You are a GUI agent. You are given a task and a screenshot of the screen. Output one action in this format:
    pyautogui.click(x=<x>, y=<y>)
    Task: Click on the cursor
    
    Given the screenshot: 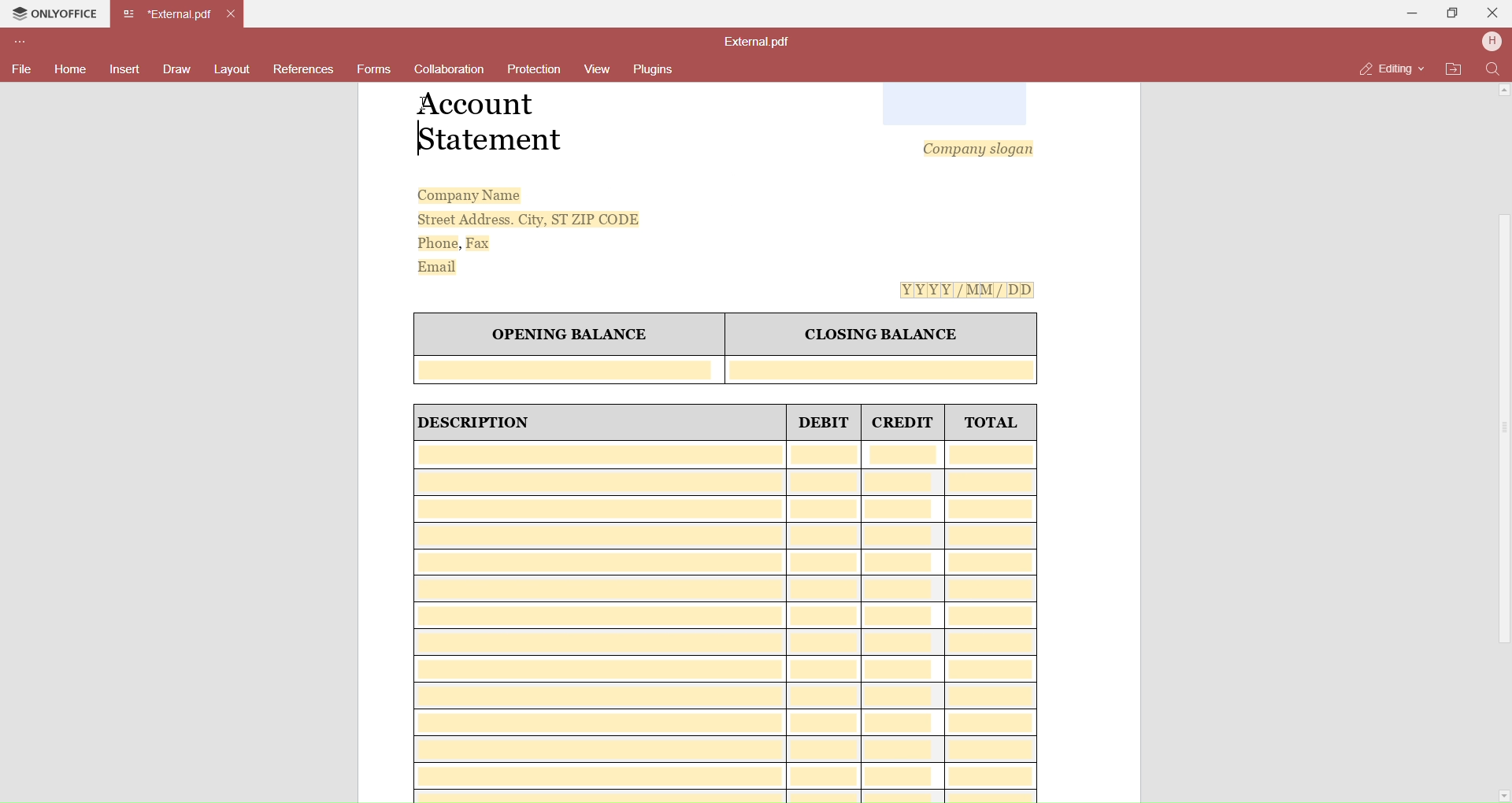 What is the action you would take?
    pyautogui.click(x=425, y=105)
    